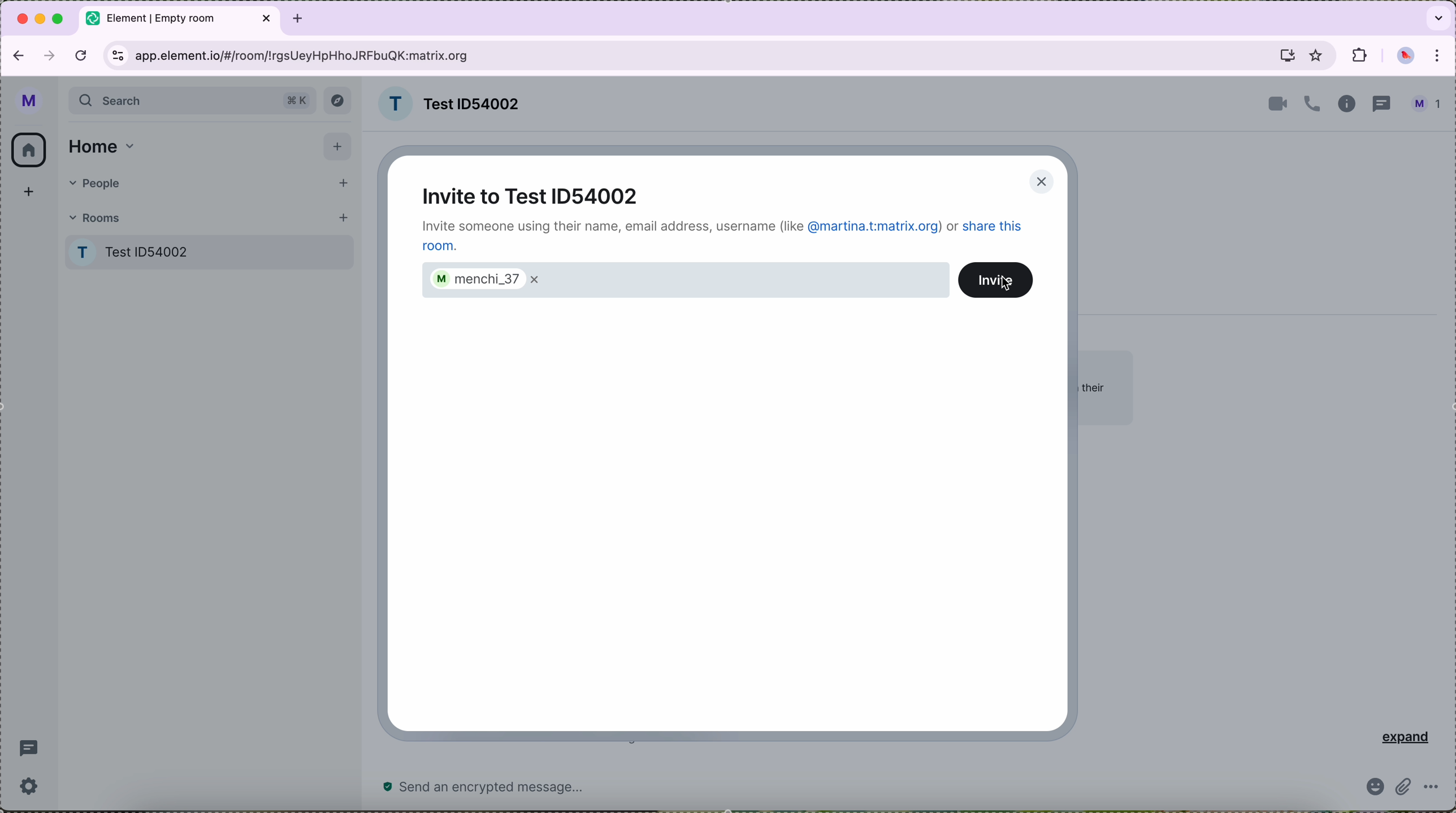  I want to click on minimize, so click(42, 19).